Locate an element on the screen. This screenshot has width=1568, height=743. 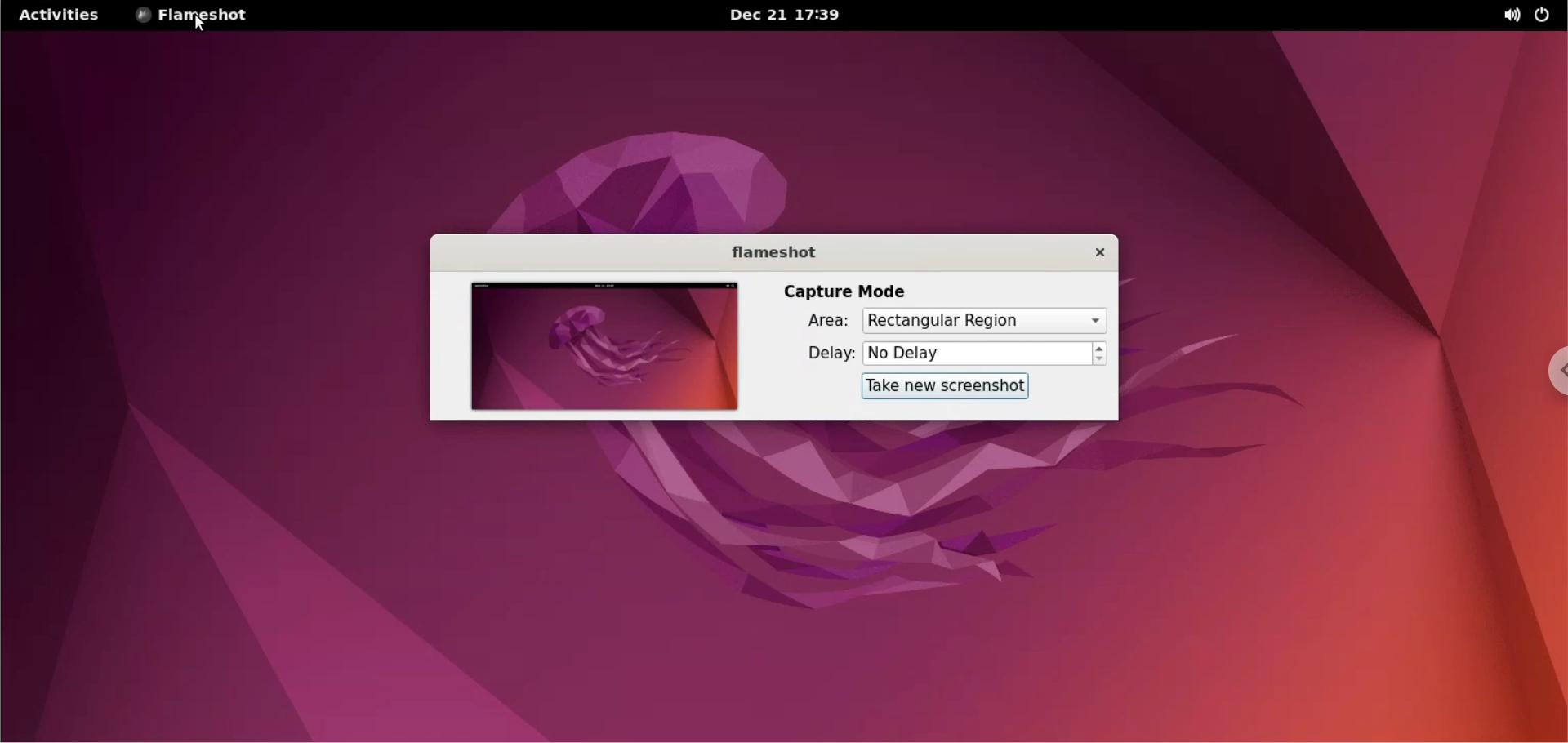
flameshot menu is located at coordinates (195, 16).